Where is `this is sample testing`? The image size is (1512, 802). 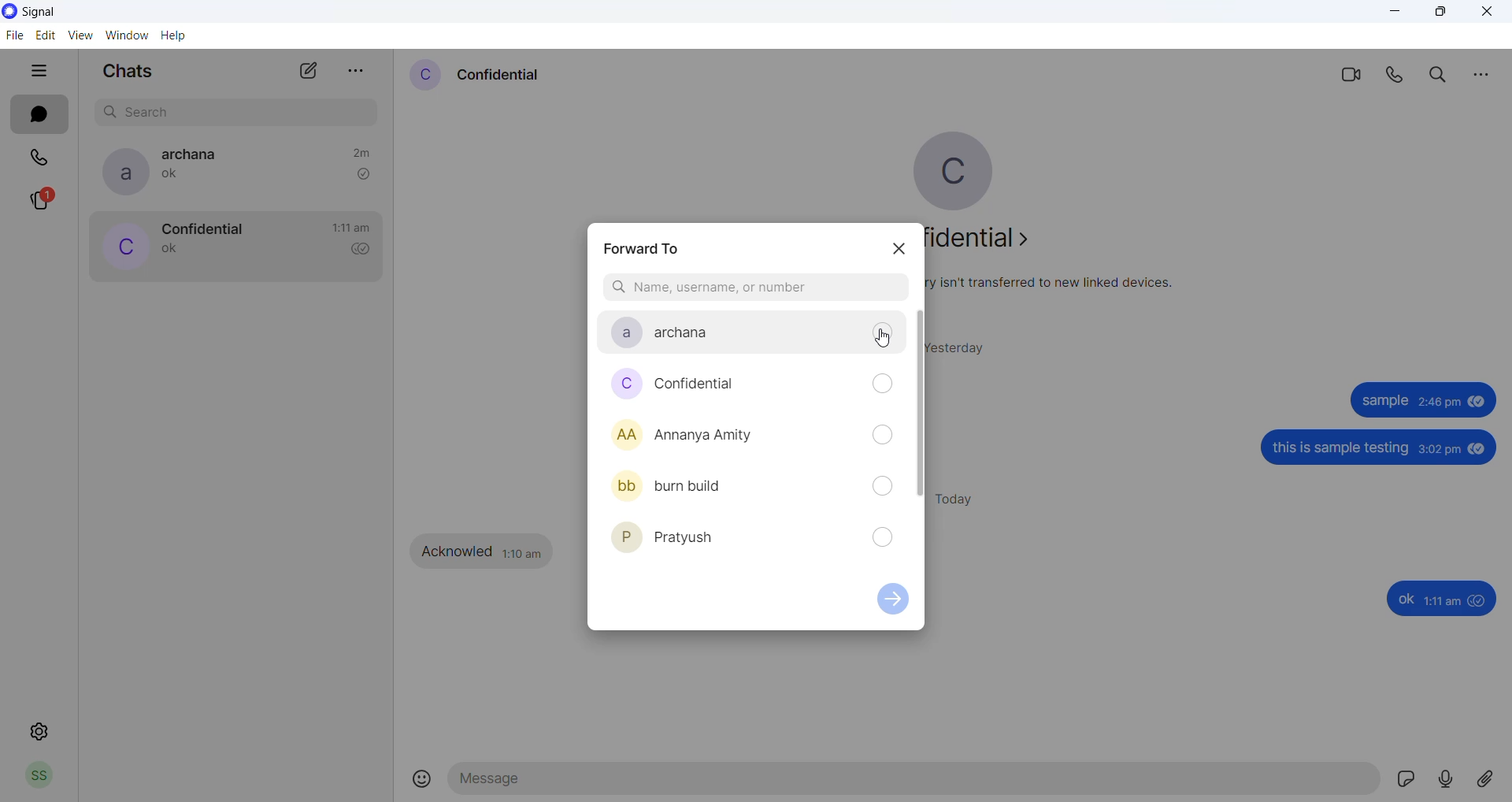 this is sample testing is located at coordinates (1343, 450).